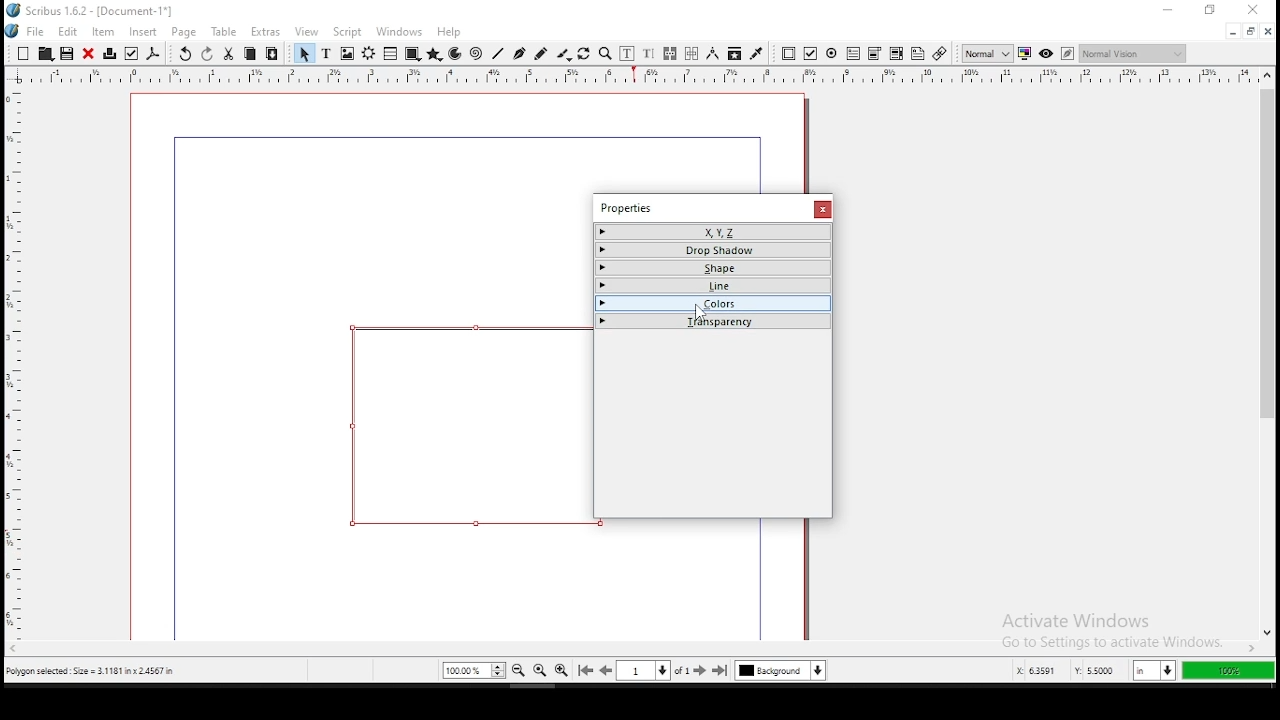 The height and width of the screenshot is (720, 1280). Describe the element at coordinates (184, 54) in the screenshot. I see `undo` at that location.